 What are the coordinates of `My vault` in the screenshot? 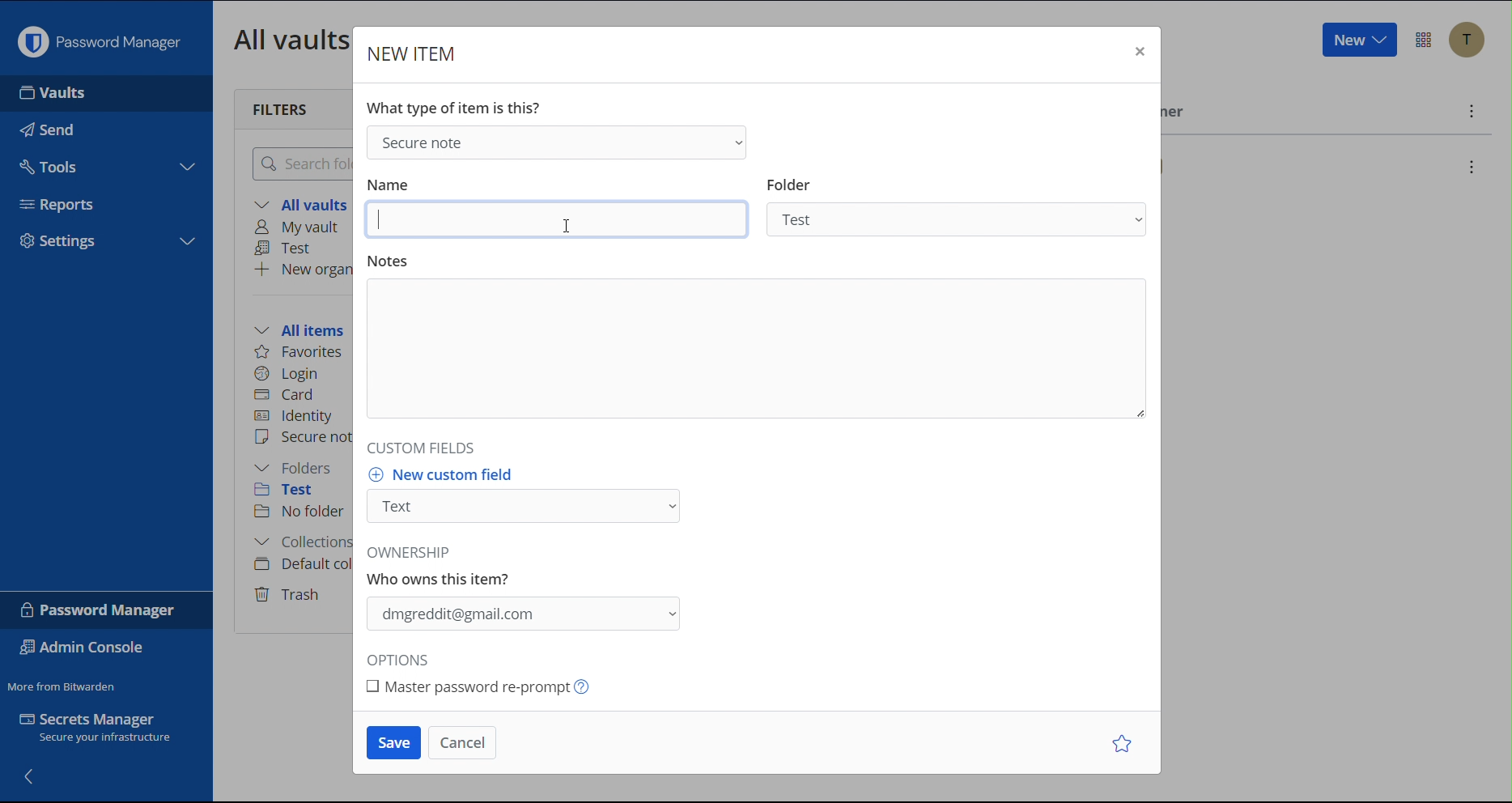 It's located at (302, 228).